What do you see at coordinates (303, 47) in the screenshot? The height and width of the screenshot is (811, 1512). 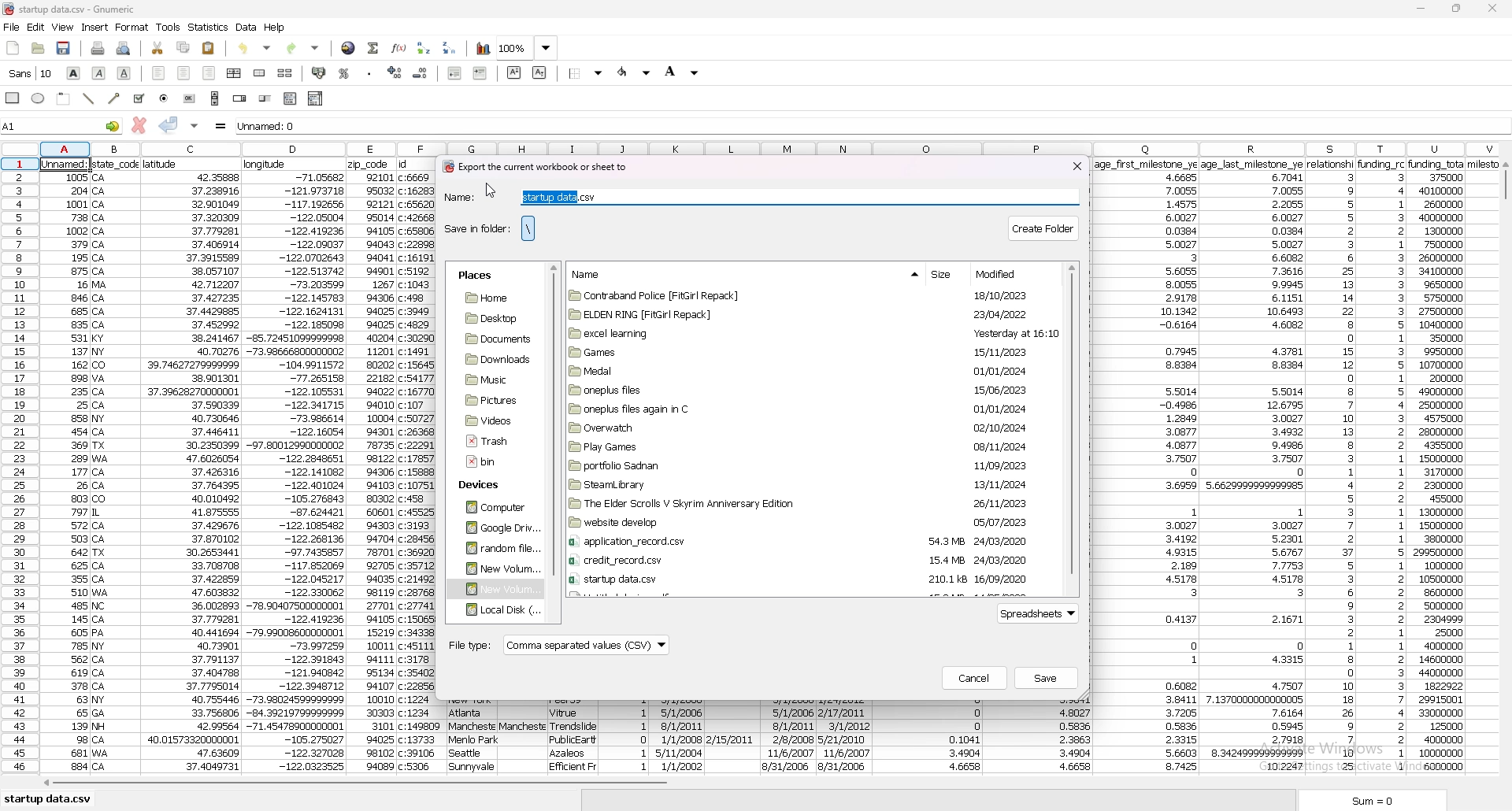 I see `redo` at bounding box center [303, 47].